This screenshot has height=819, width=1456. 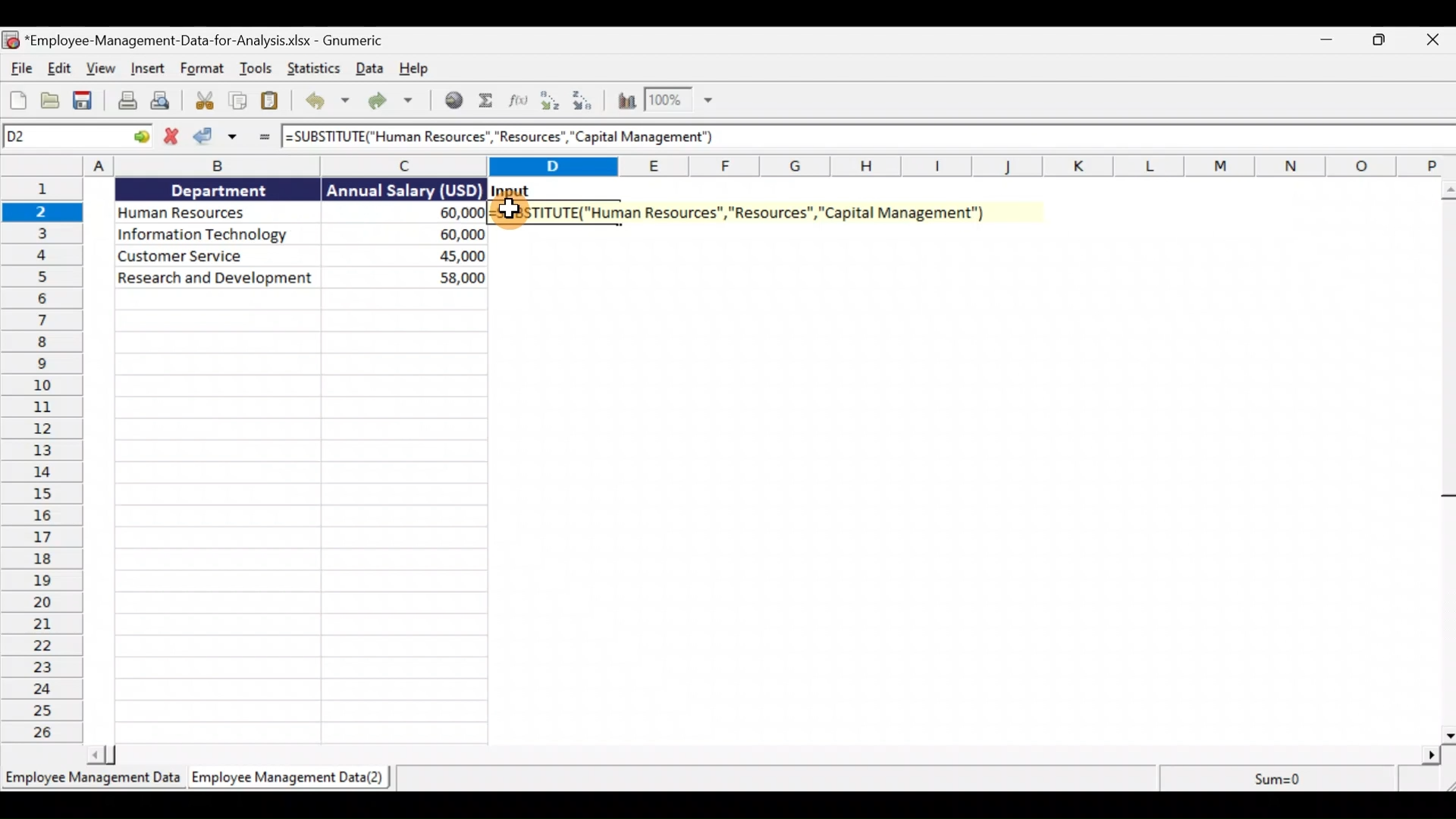 What do you see at coordinates (206, 68) in the screenshot?
I see `Format` at bounding box center [206, 68].